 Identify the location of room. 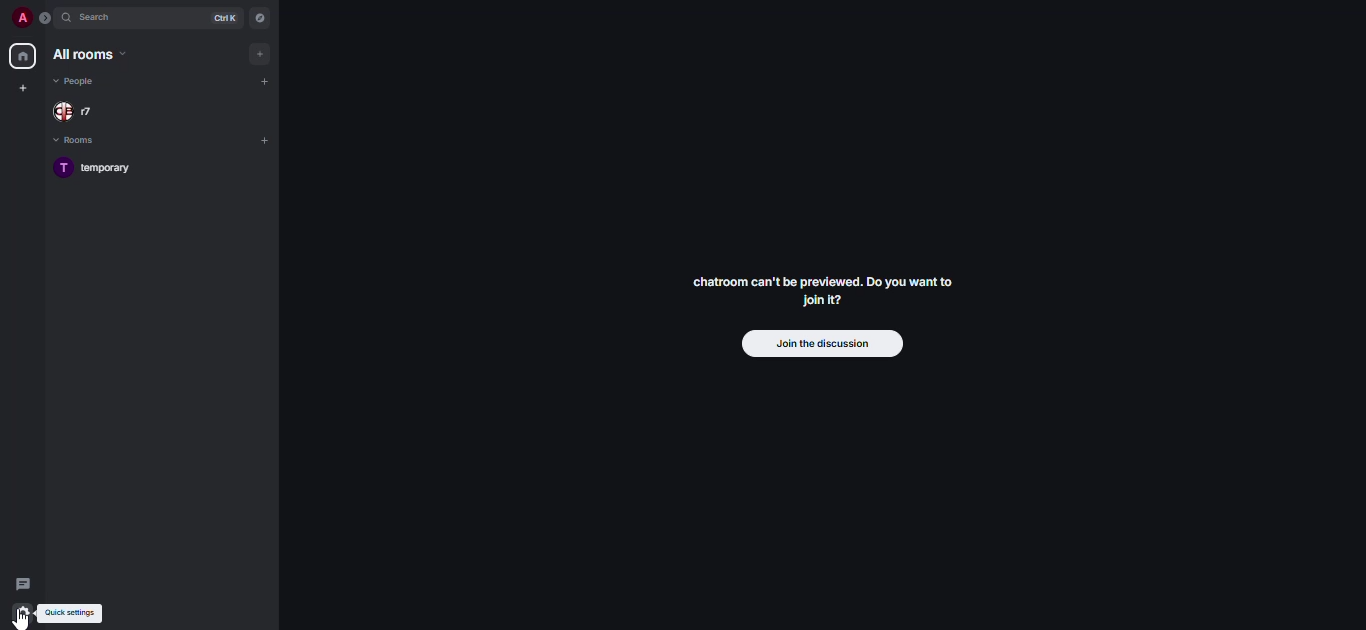
(104, 166).